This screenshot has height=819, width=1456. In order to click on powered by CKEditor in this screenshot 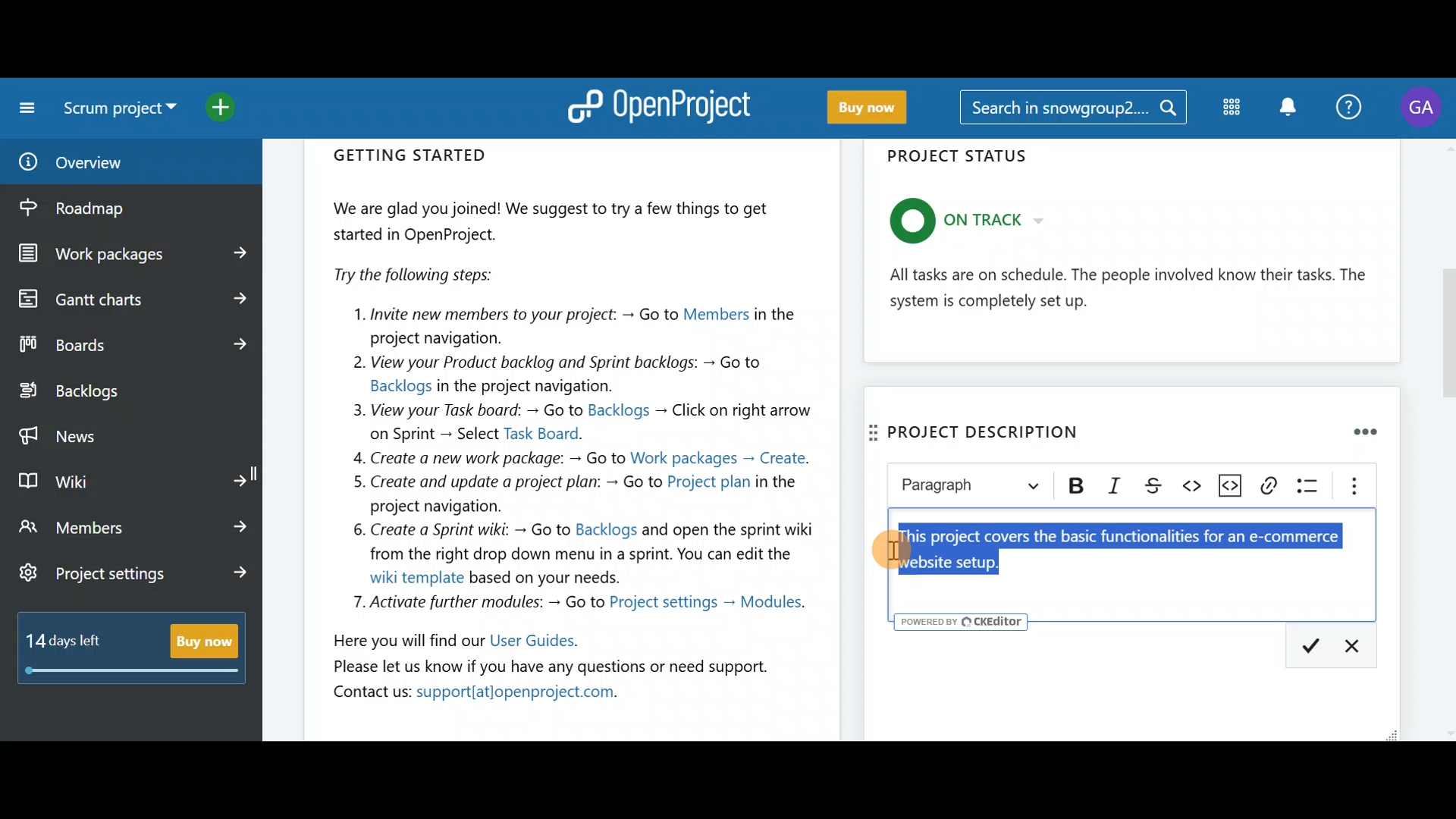, I will do `click(962, 622)`.